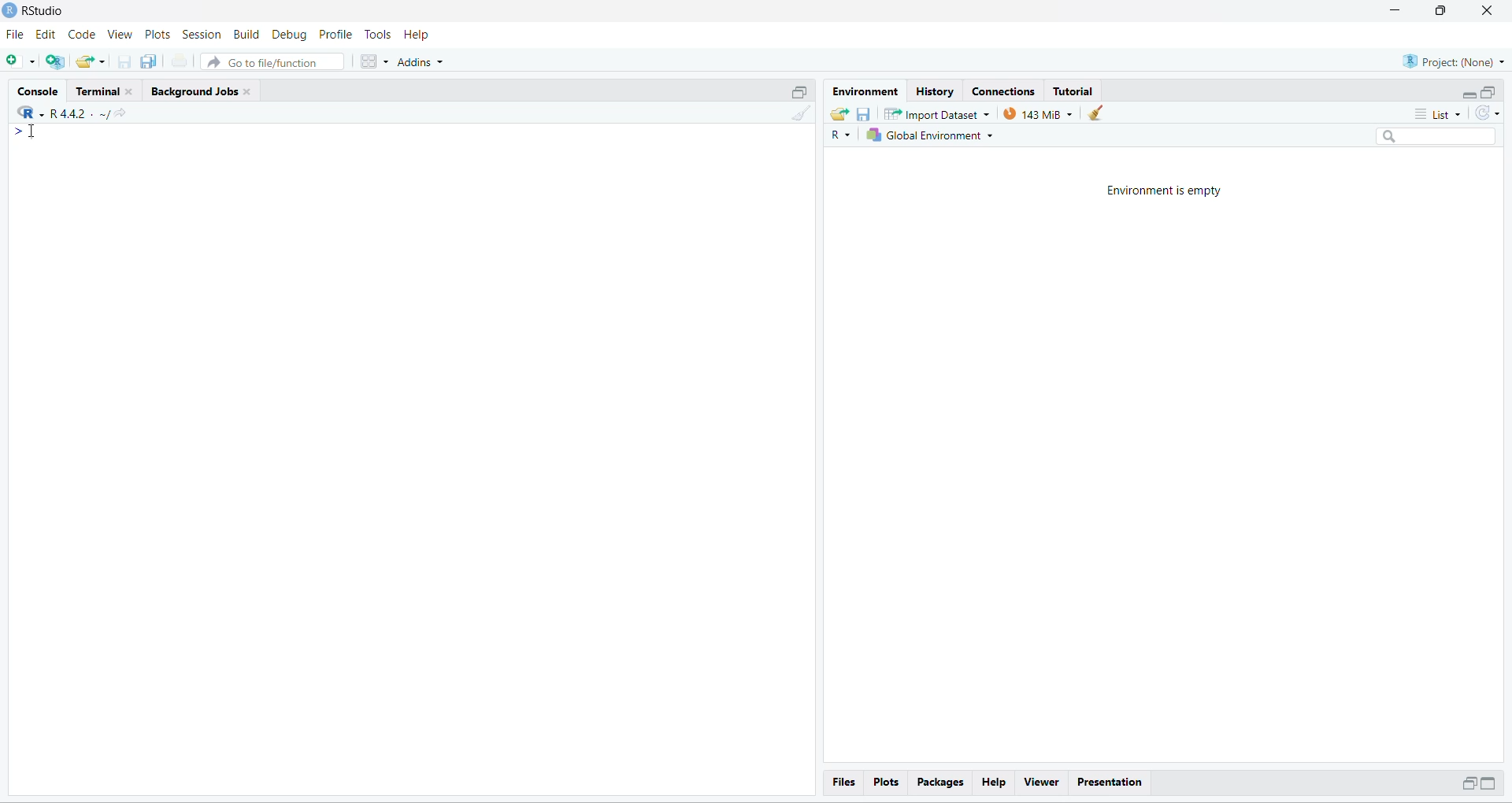  Describe the element at coordinates (376, 62) in the screenshot. I see `grid` at that location.